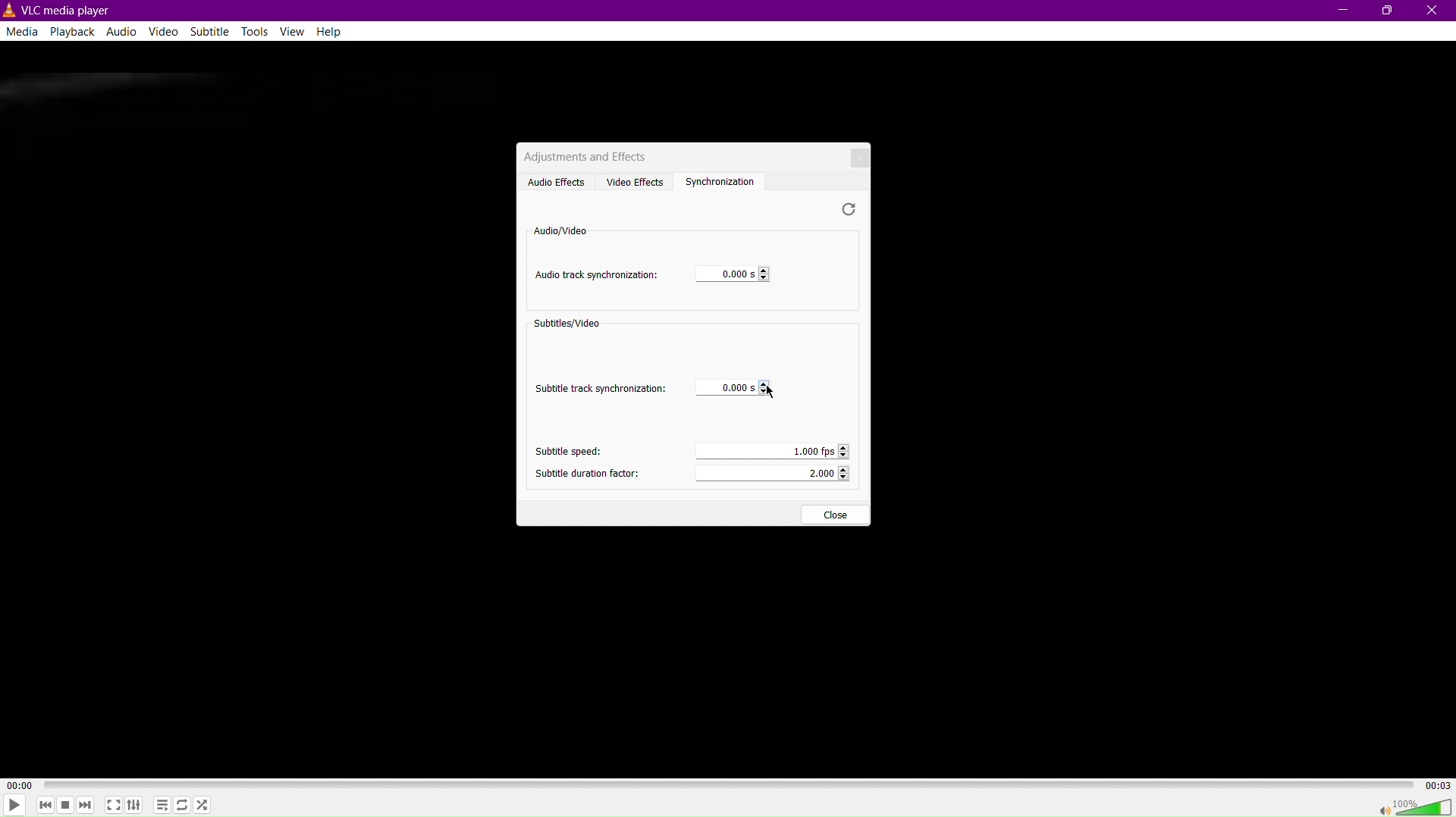  Describe the element at coordinates (635, 180) in the screenshot. I see `Video Effects` at that location.